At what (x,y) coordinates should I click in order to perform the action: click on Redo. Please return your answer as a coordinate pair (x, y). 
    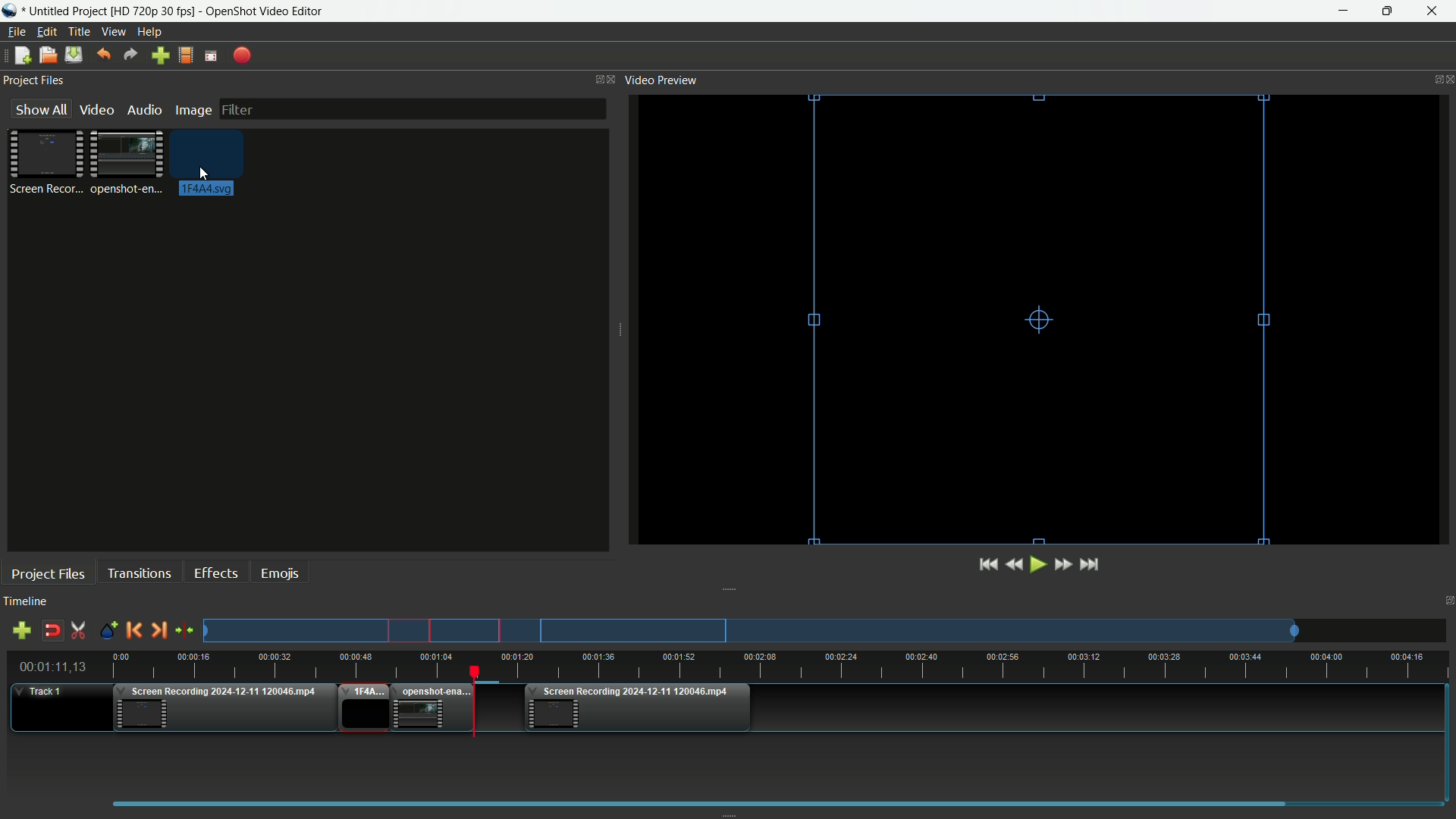
    Looking at the image, I should click on (130, 55).